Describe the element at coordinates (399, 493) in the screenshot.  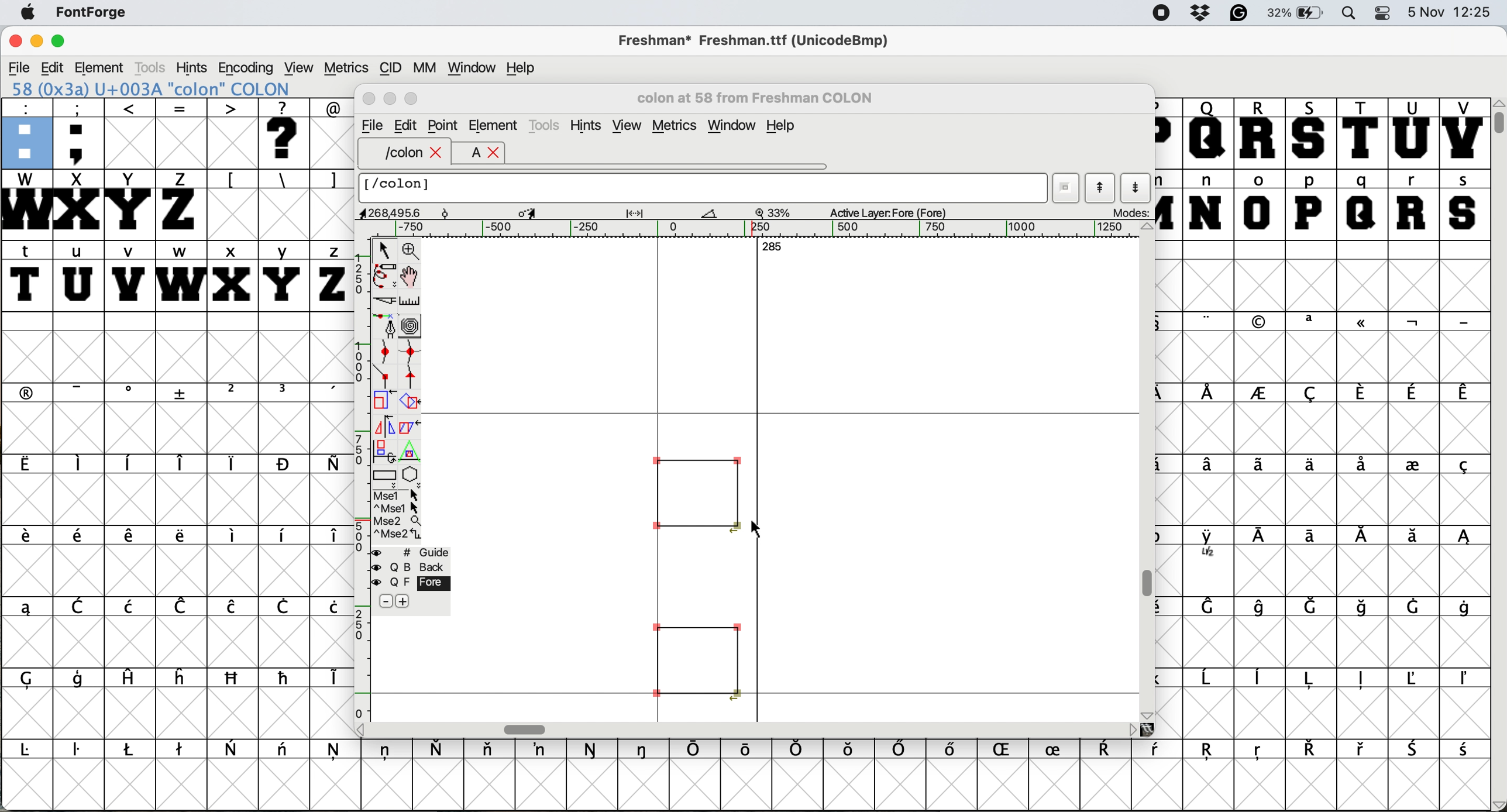
I see `Mse1` at that location.